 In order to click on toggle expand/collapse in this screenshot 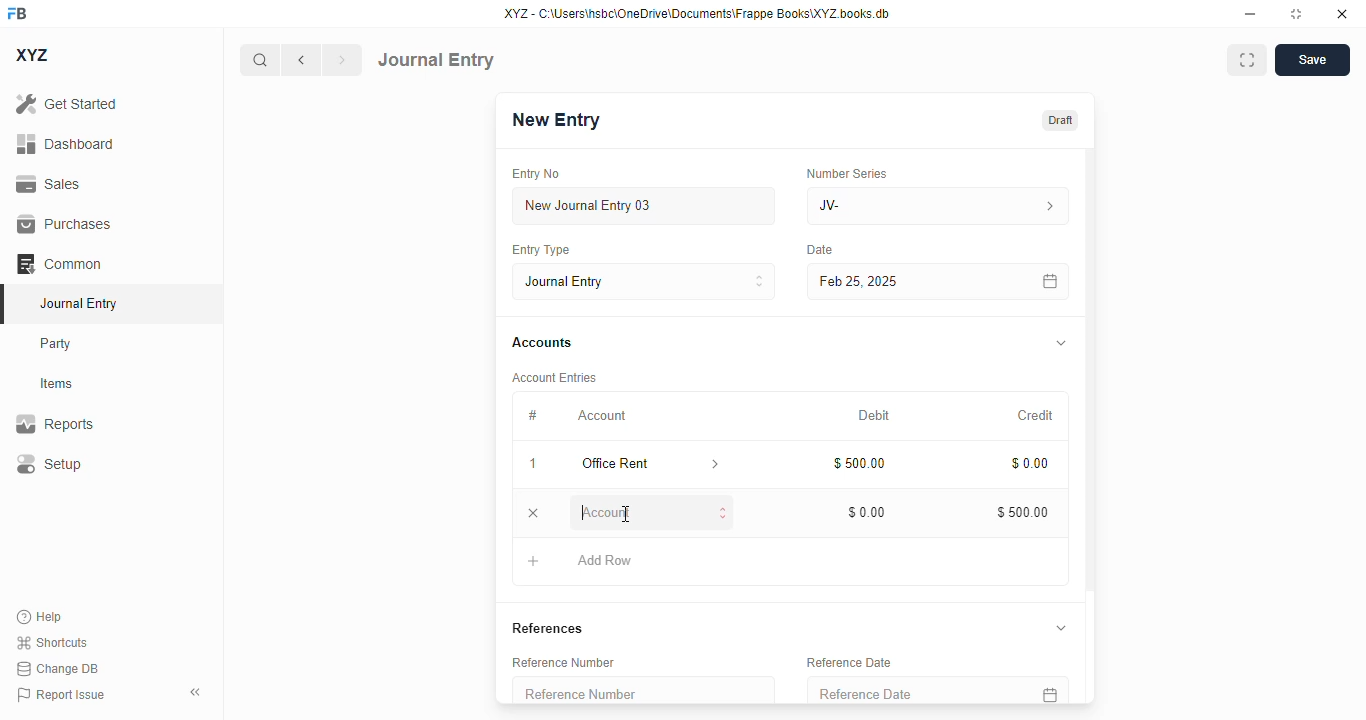, I will do `click(1062, 343)`.